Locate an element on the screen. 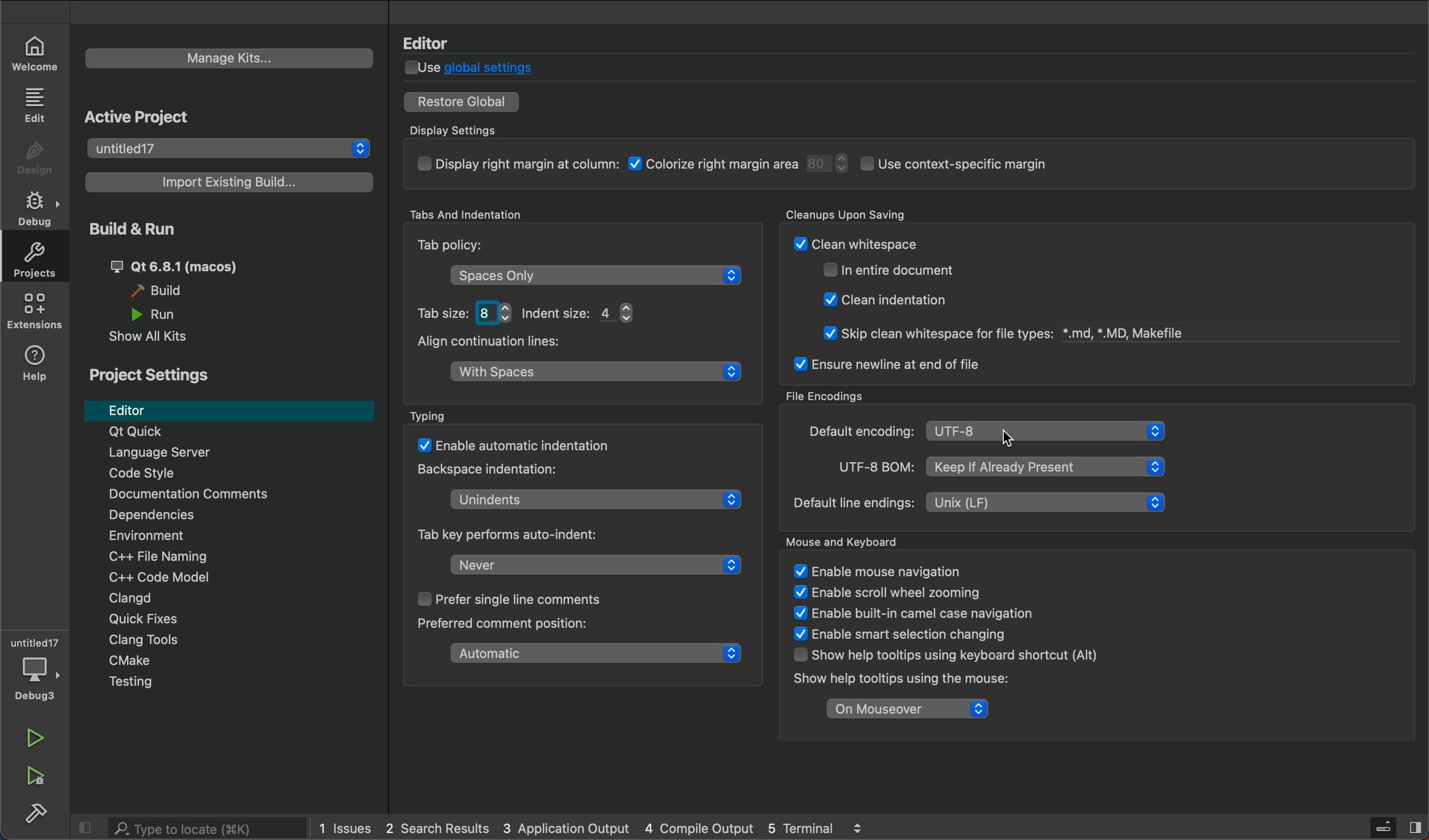 The image size is (1429, 840). Clang Tools is located at coordinates (213, 642).